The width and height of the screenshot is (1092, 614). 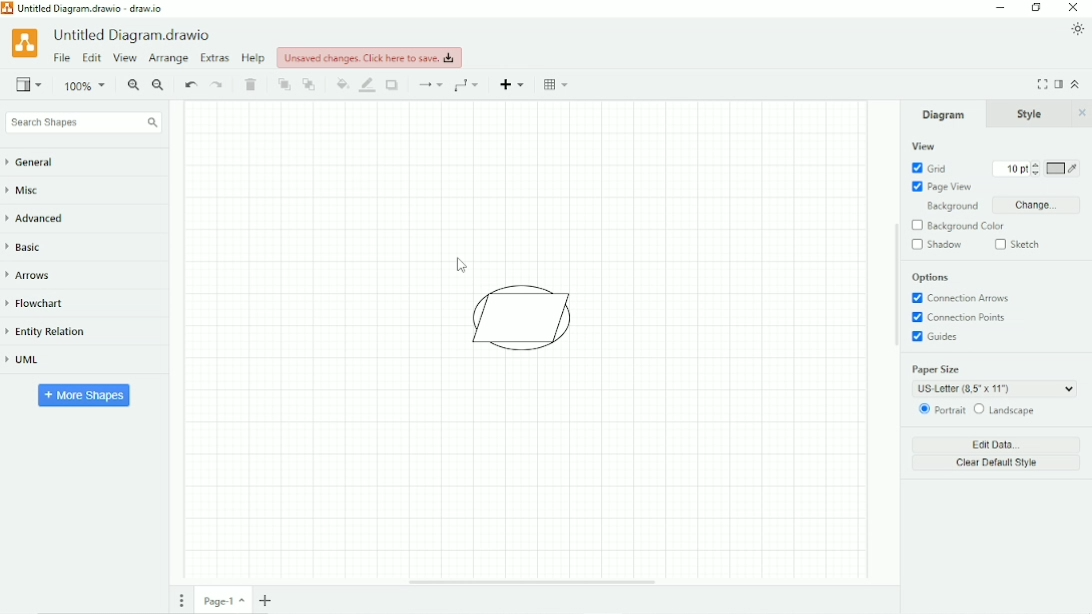 I want to click on Arrange, so click(x=168, y=59).